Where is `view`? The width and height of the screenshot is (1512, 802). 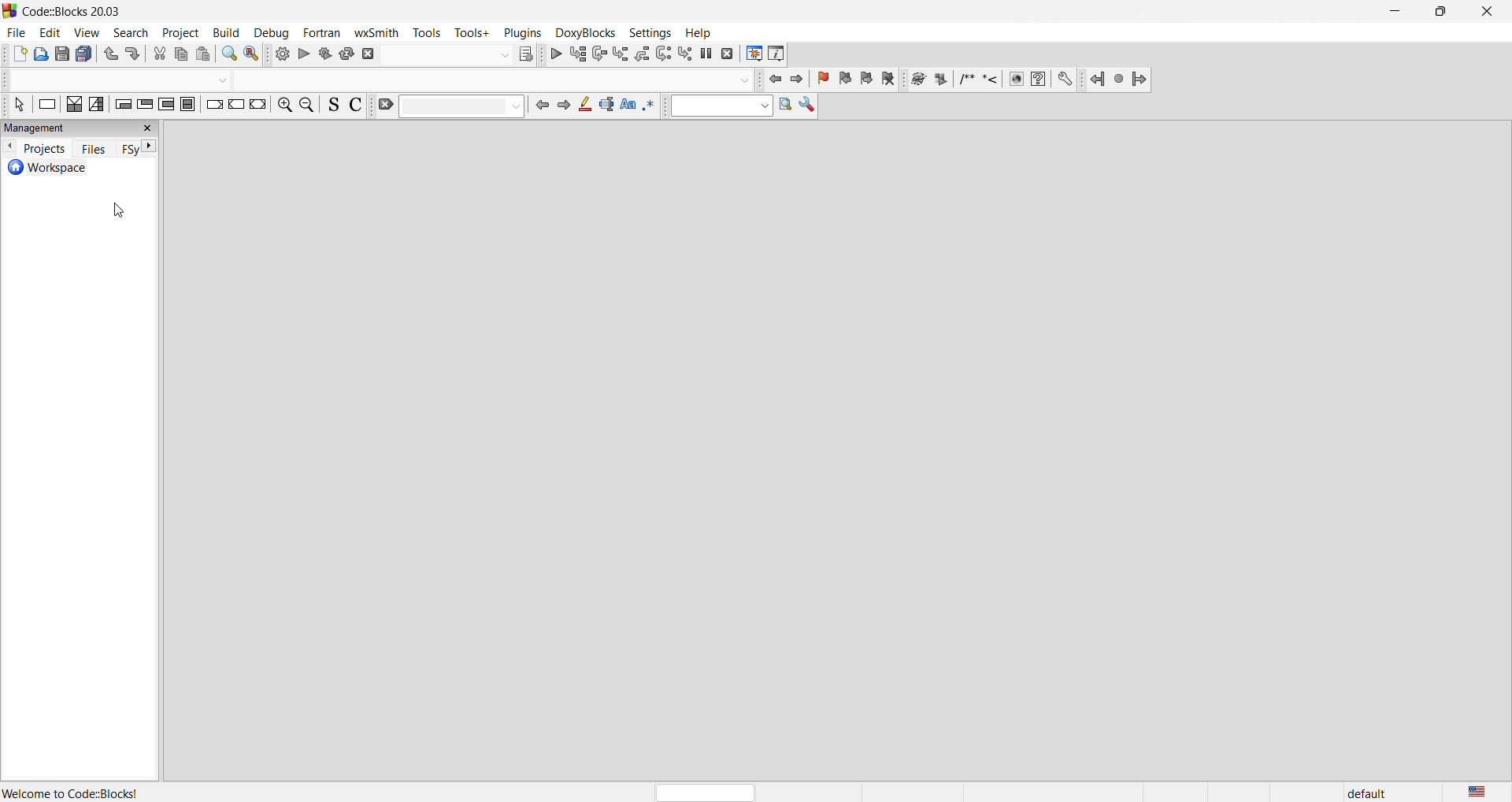 view is located at coordinates (87, 33).